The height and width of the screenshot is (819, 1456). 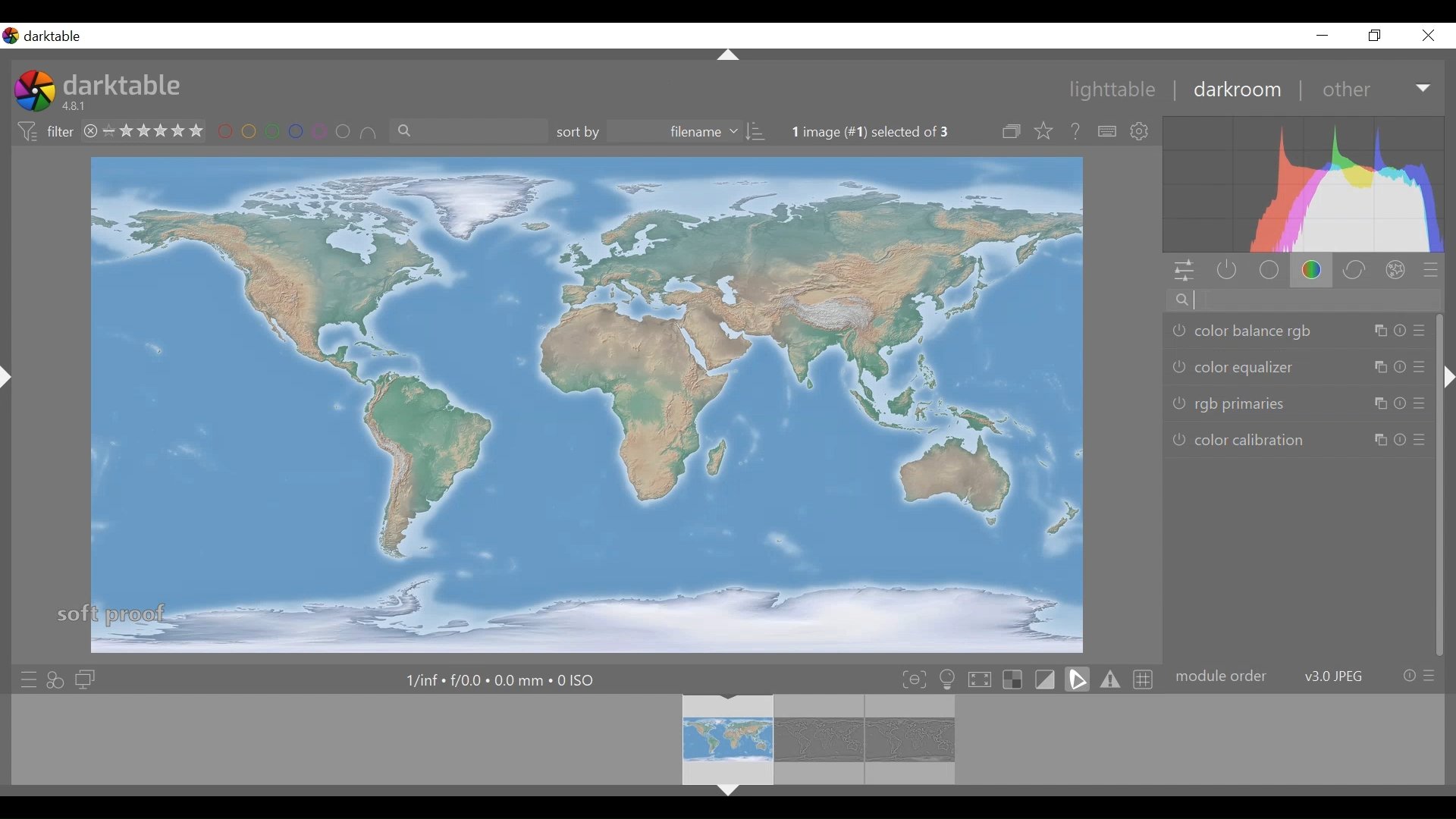 What do you see at coordinates (1144, 131) in the screenshot?
I see `show global preferences` at bounding box center [1144, 131].